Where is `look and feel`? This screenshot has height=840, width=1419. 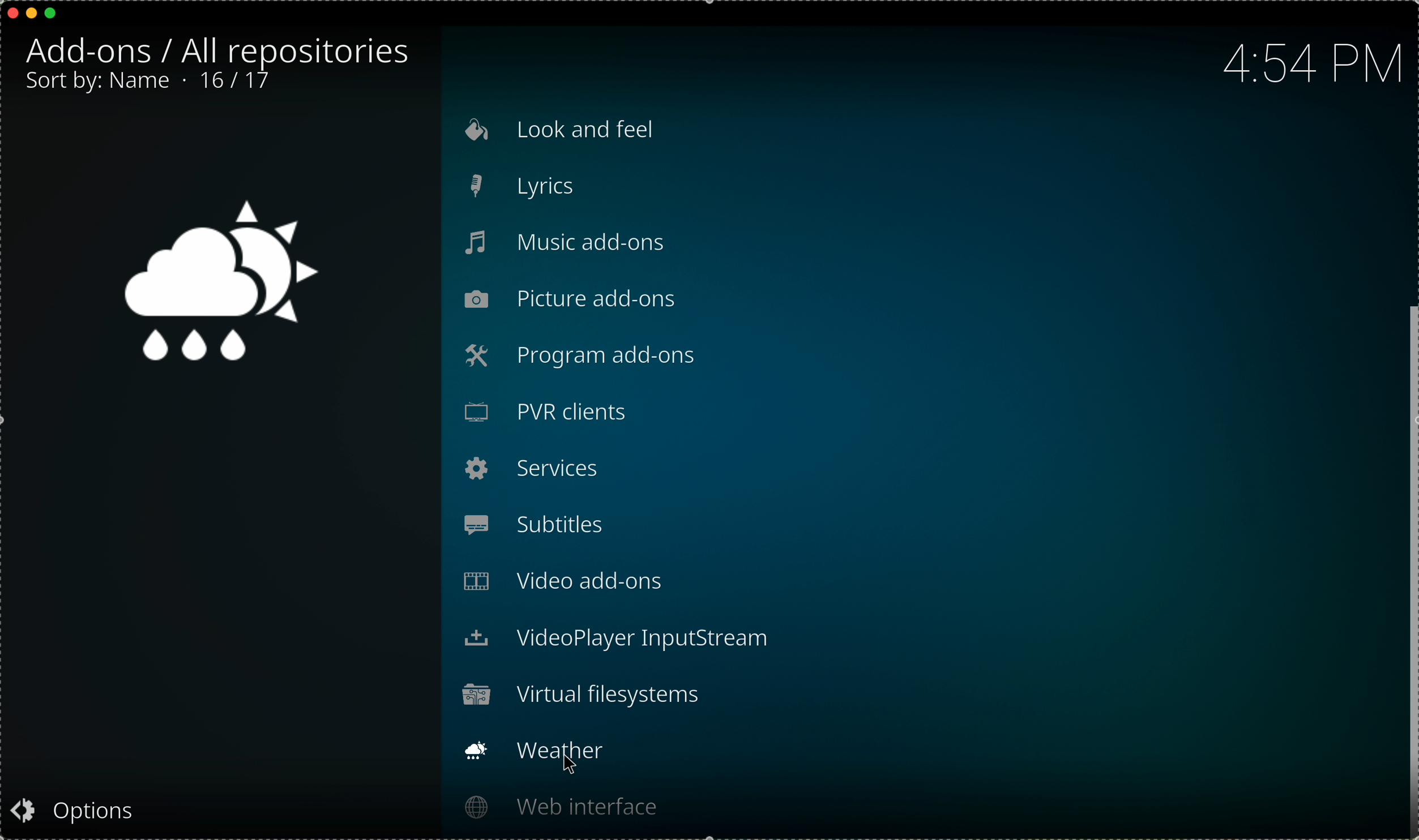
look and feel is located at coordinates (559, 132).